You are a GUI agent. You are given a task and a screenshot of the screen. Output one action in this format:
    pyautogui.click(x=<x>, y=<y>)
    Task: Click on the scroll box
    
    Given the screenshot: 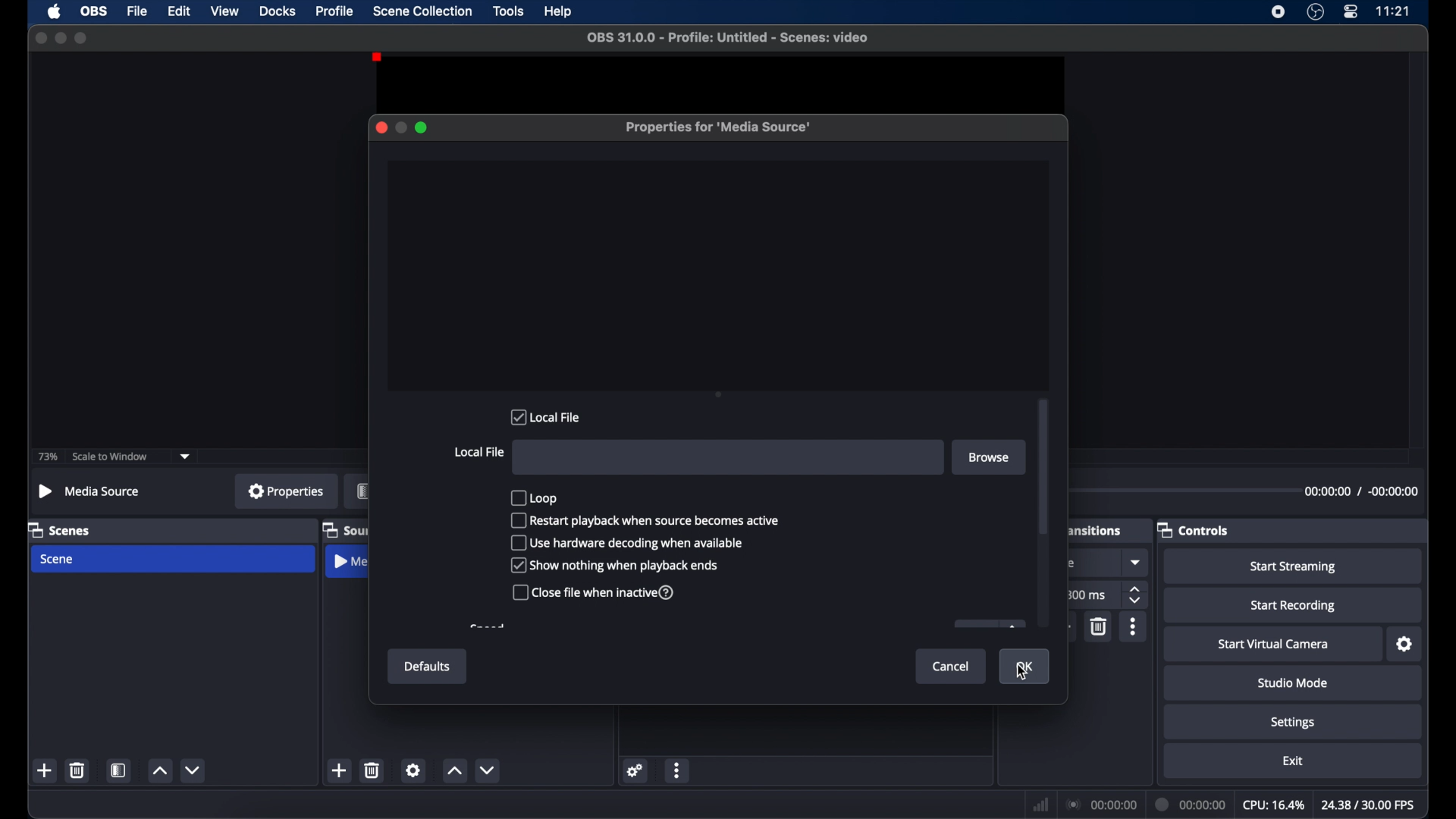 What is the action you would take?
    pyautogui.click(x=1043, y=466)
    